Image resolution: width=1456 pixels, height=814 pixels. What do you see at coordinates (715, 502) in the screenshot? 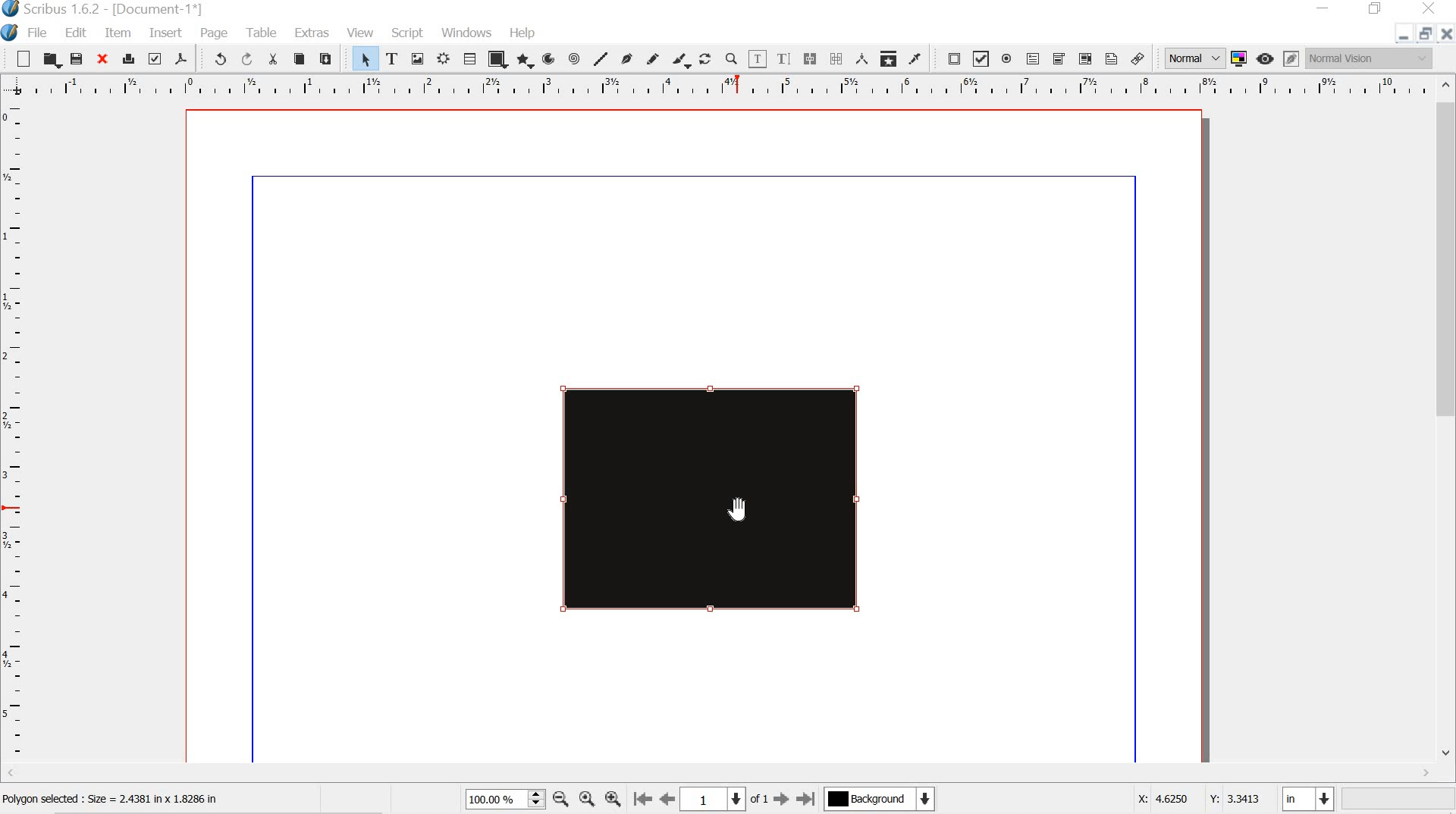
I see `black polygon` at bounding box center [715, 502].